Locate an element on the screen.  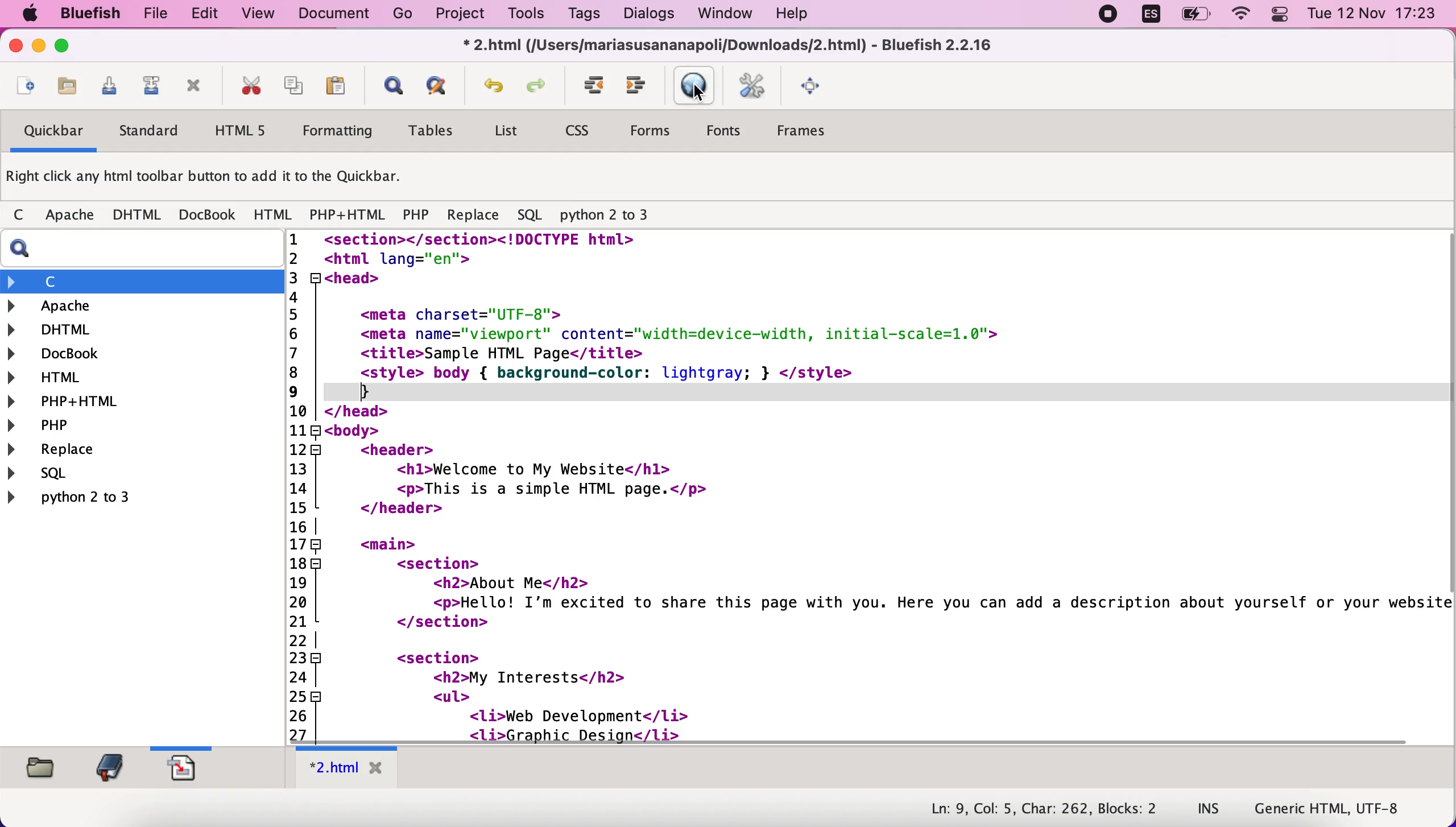
help is located at coordinates (806, 15).